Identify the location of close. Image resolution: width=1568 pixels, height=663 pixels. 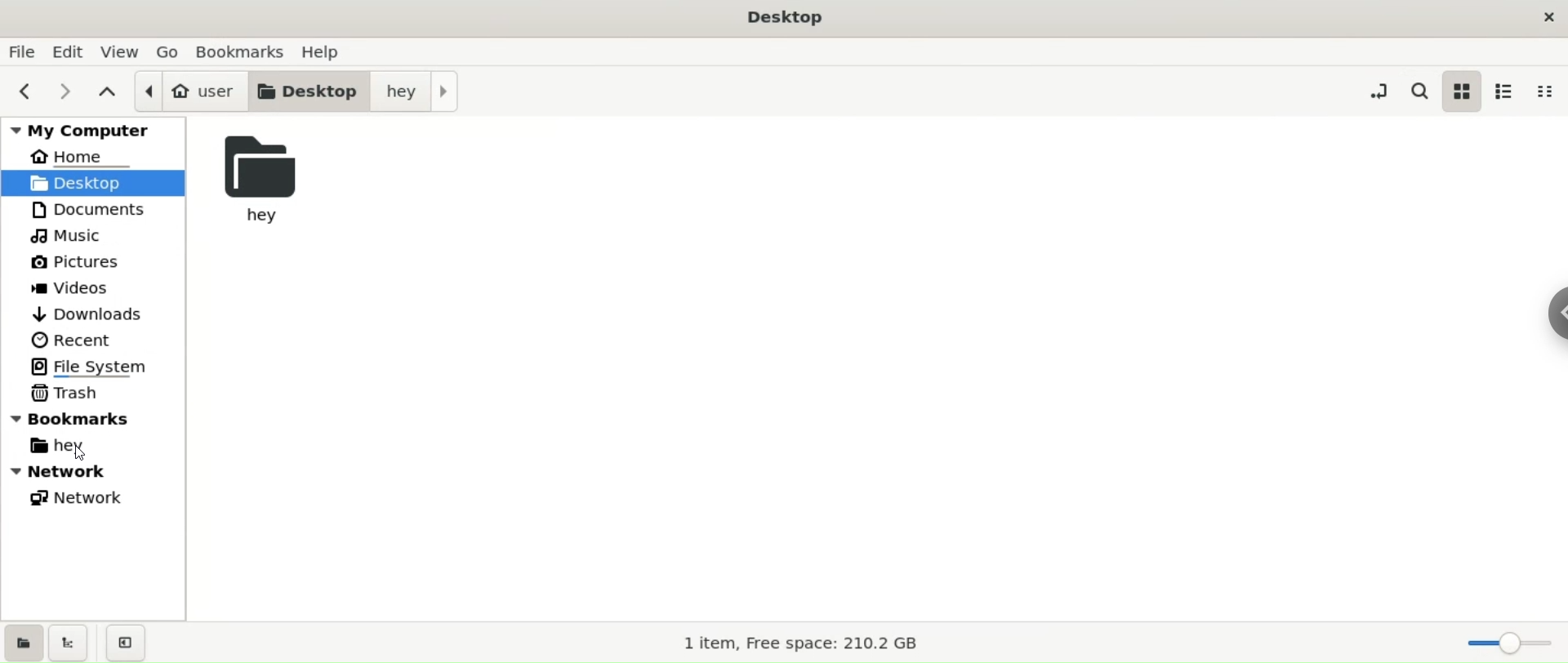
(1549, 19).